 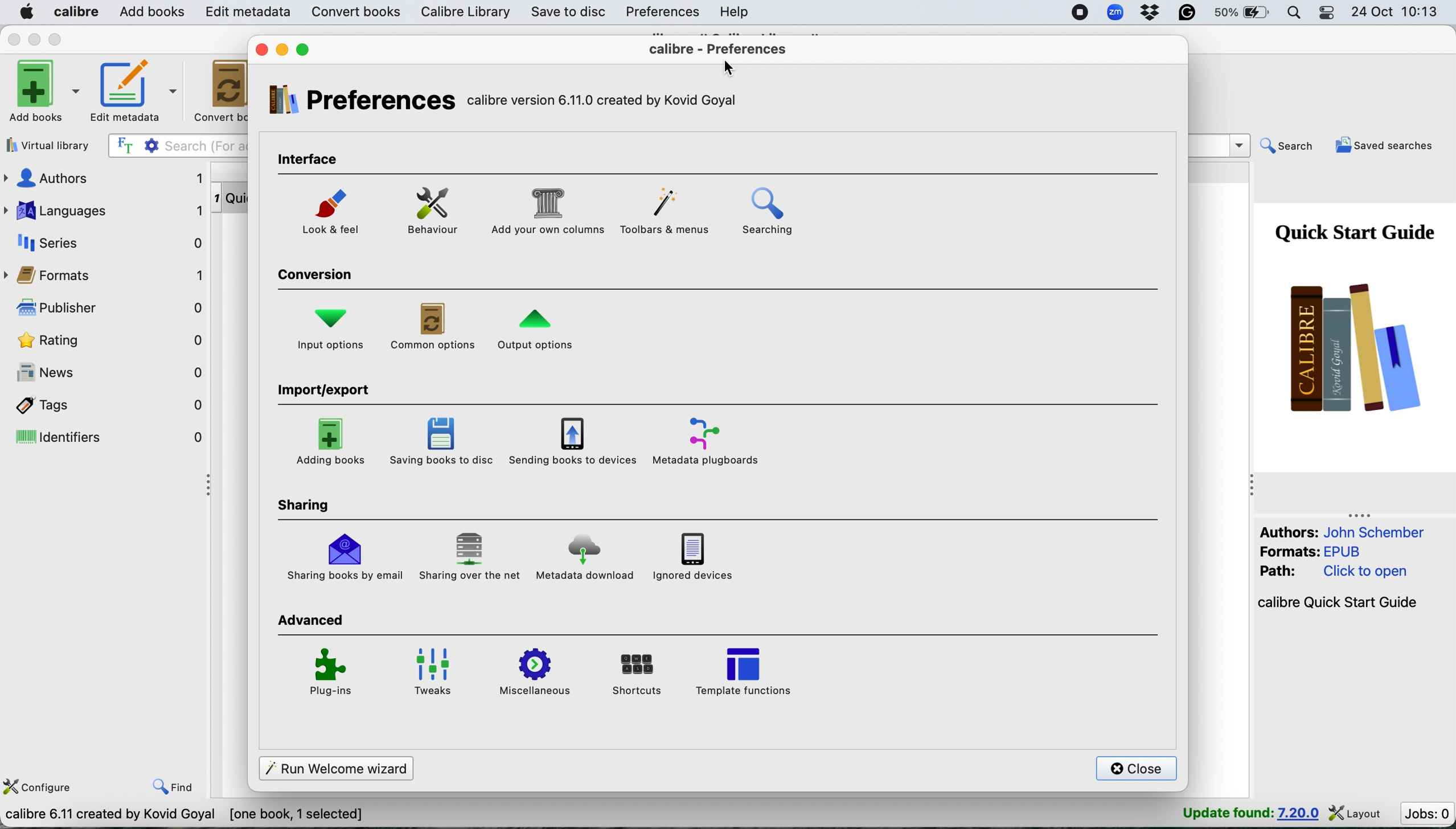 I want to click on convert books, so click(x=352, y=13).